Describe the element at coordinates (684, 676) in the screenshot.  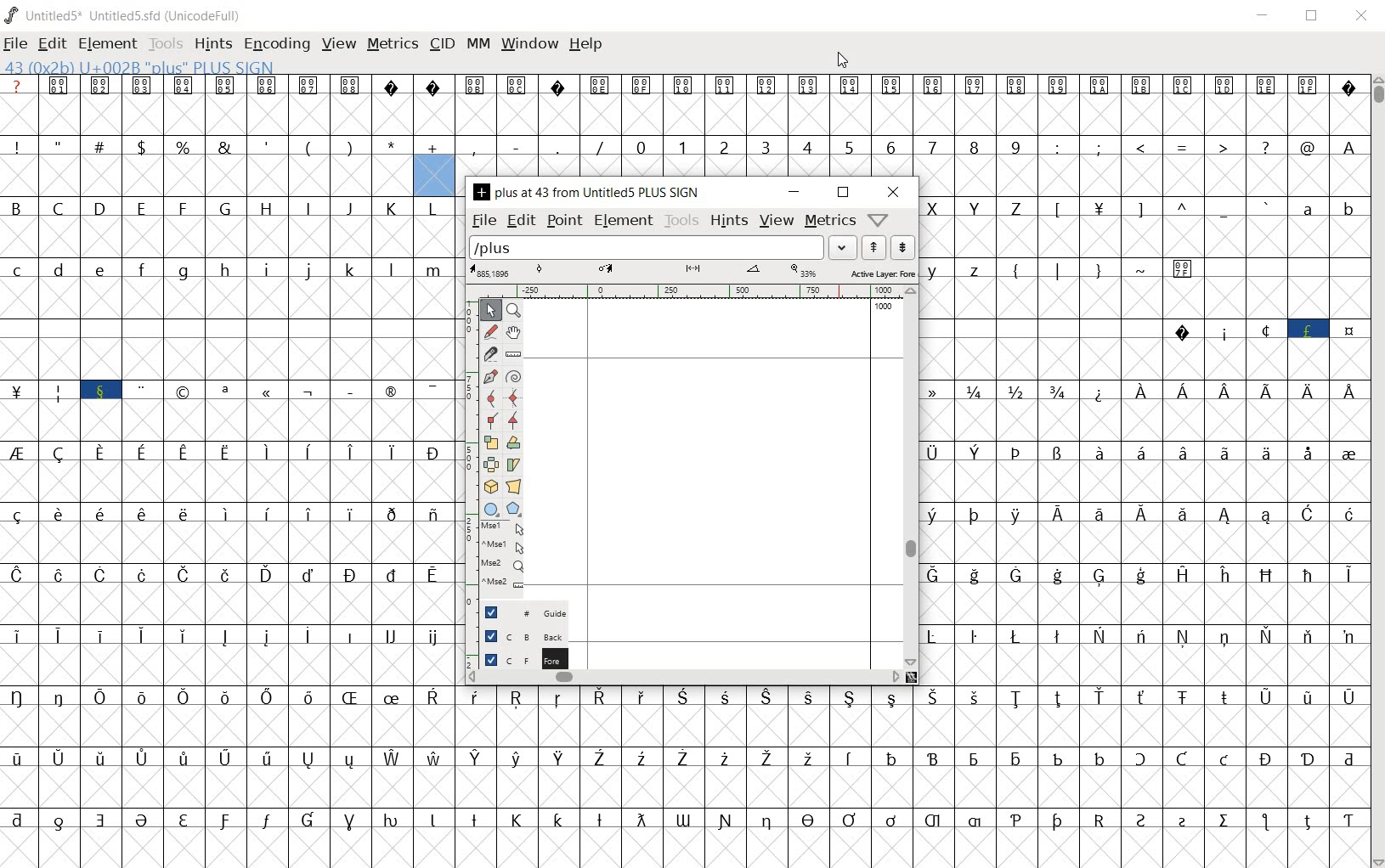
I see `scrollbar` at that location.